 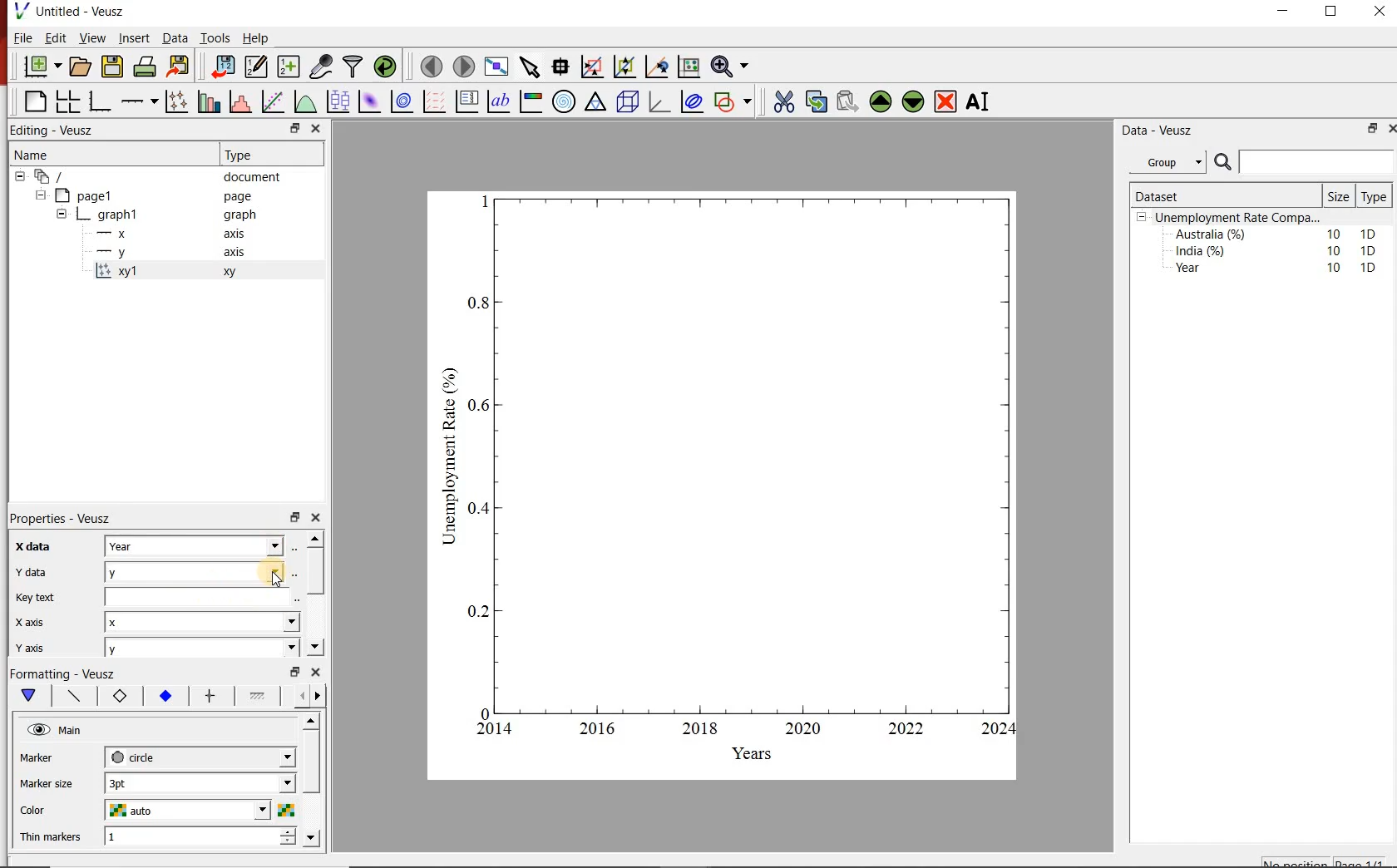 What do you see at coordinates (625, 65) in the screenshot?
I see `click to zoom out graph axes` at bounding box center [625, 65].